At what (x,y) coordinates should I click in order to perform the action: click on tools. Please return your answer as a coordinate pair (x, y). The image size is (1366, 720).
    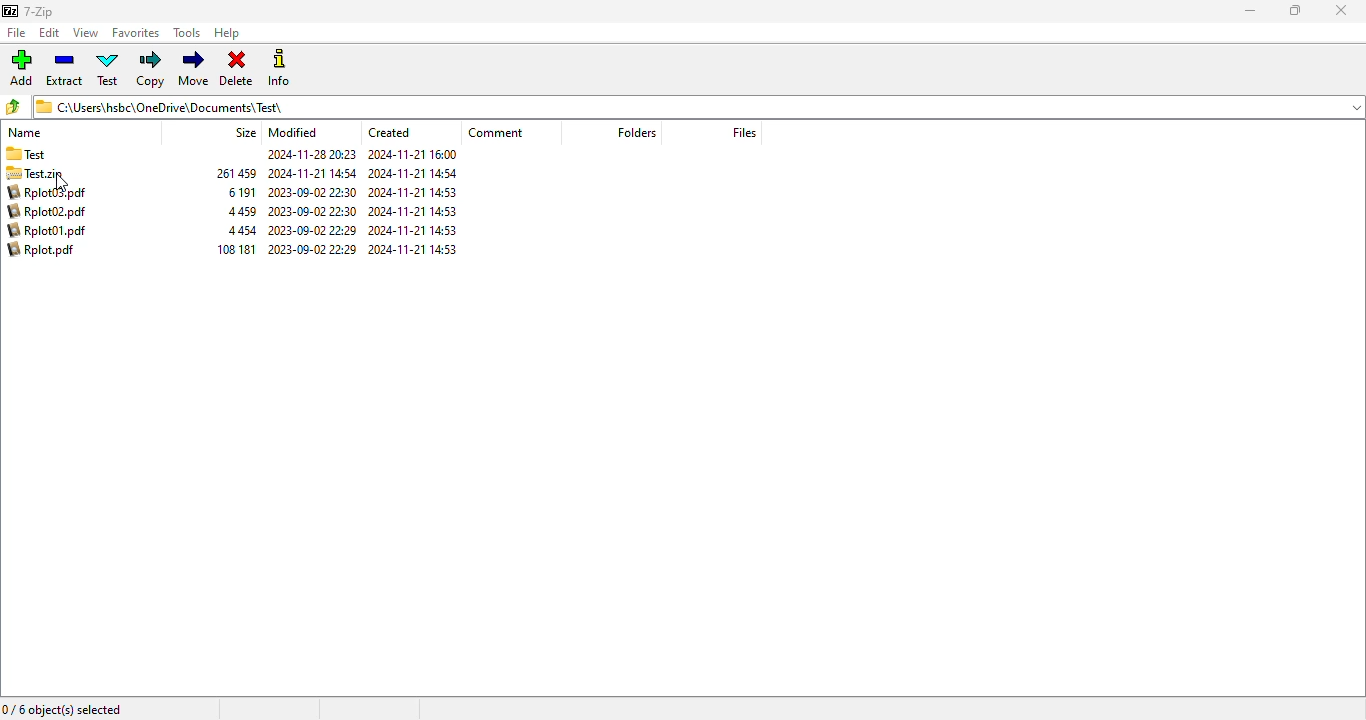
    Looking at the image, I should click on (187, 33).